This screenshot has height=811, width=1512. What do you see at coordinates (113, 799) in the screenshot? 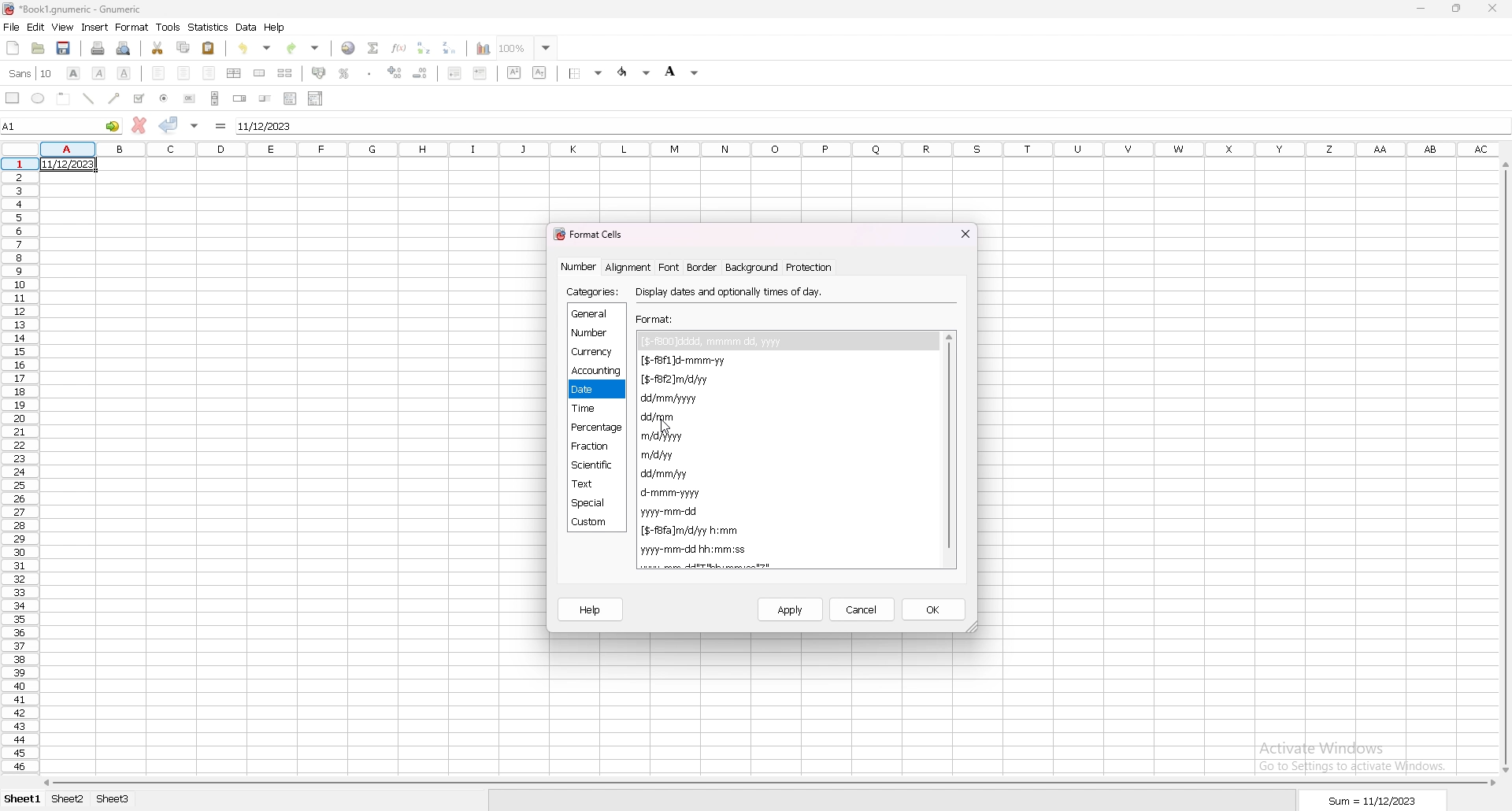
I see `sheet 3` at bounding box center [113, 799].